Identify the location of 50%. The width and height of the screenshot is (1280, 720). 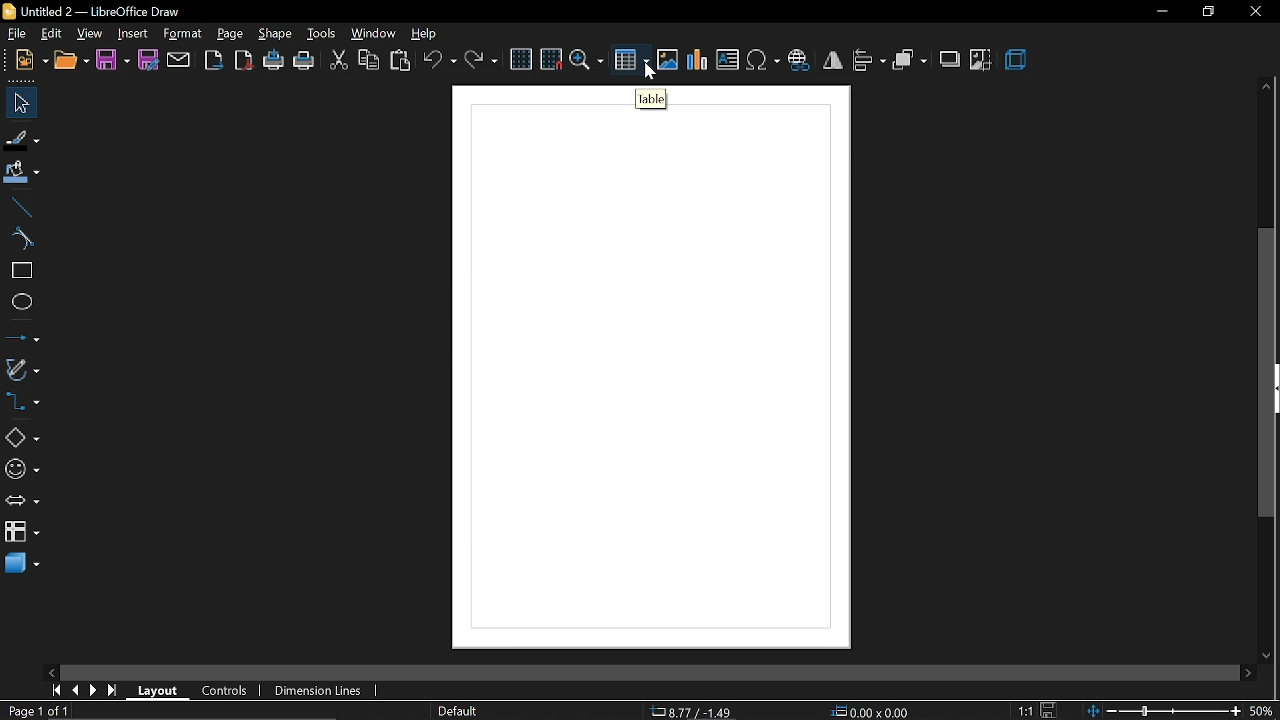
(1264, 710).